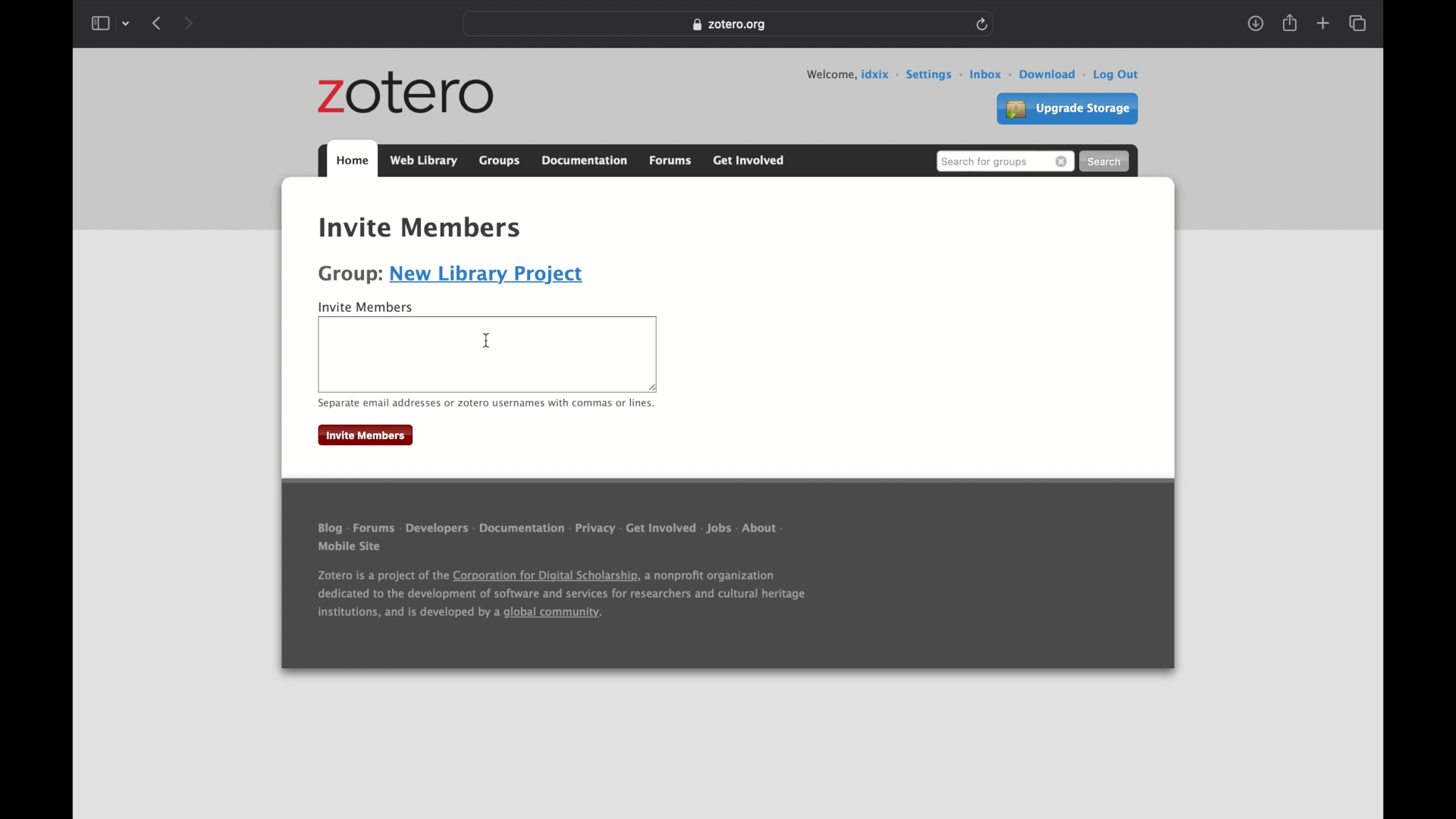 The image size is (1456, 819). What do you see at coordinates (879, 74) in the screenshot?
I see `user id` at bounding box center [879, 74].